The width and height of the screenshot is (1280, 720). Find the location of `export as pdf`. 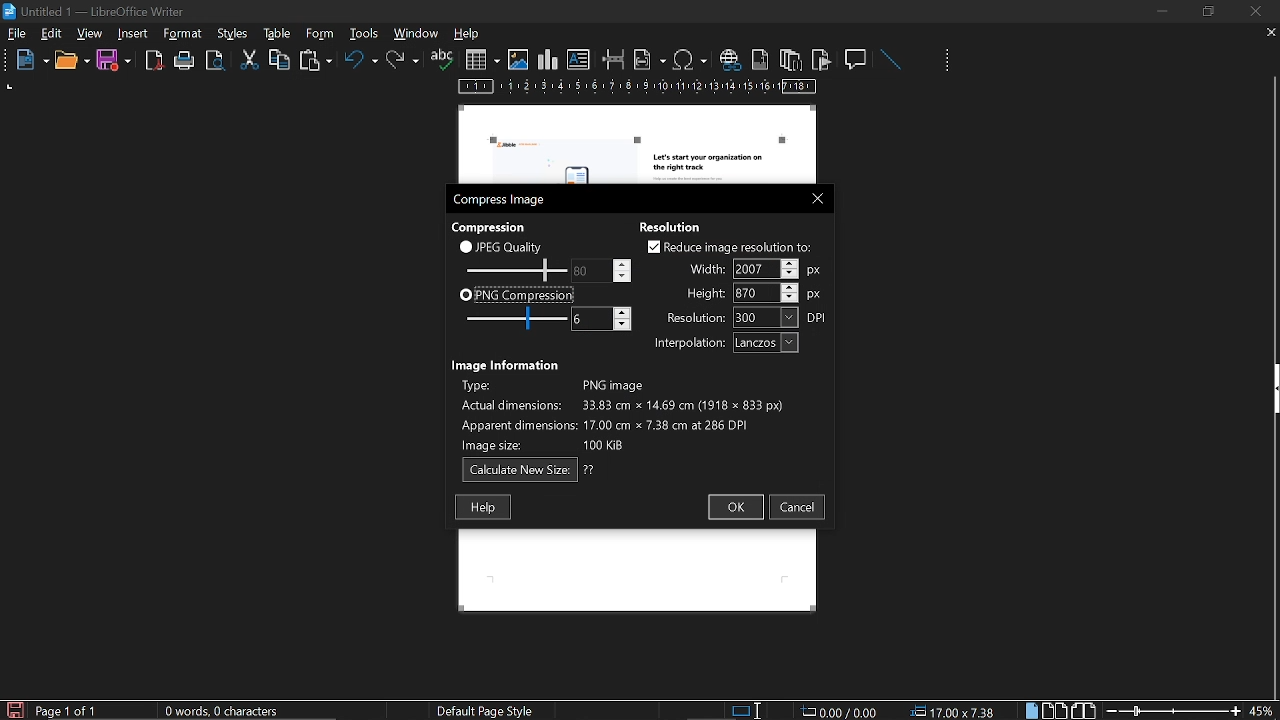

export as pdf is located at coordinates (155, 61).